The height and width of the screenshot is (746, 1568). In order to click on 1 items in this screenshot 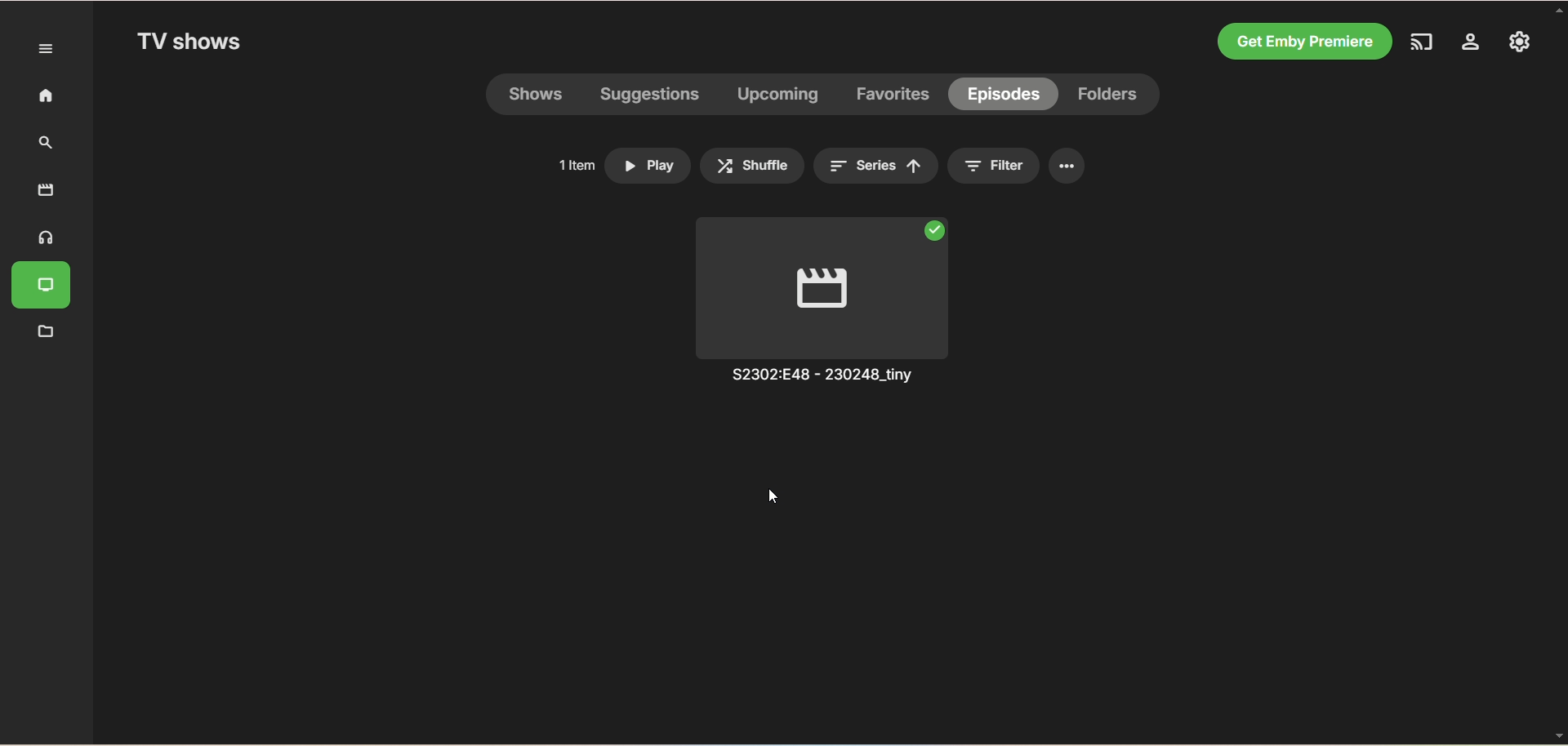, I will do `click(572, 165)`.